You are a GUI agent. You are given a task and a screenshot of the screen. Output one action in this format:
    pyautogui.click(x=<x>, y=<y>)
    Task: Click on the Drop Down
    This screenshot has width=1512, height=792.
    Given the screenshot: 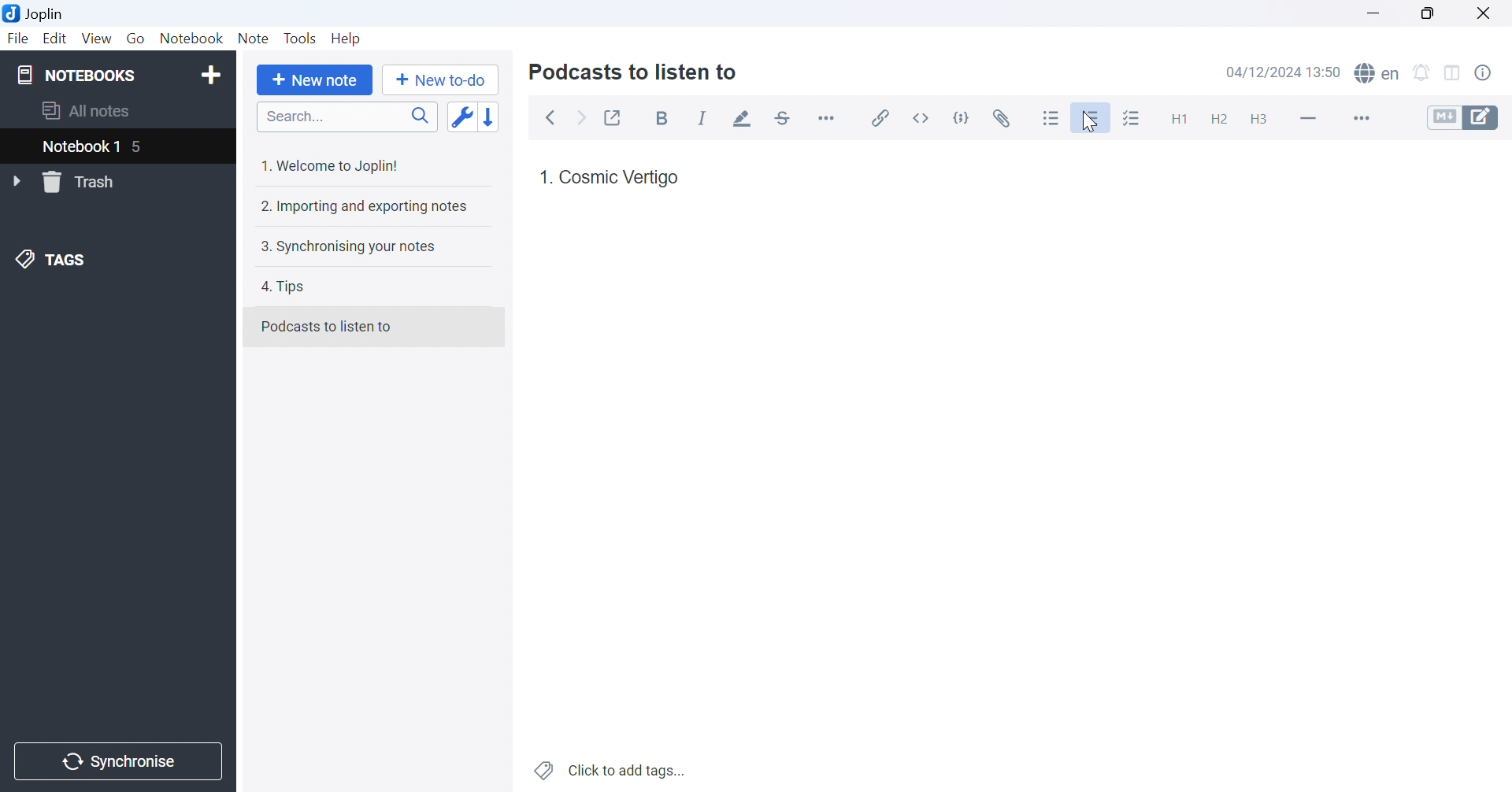 What is the action you would take?
    pyautogui.click(x=18, y=182)
    